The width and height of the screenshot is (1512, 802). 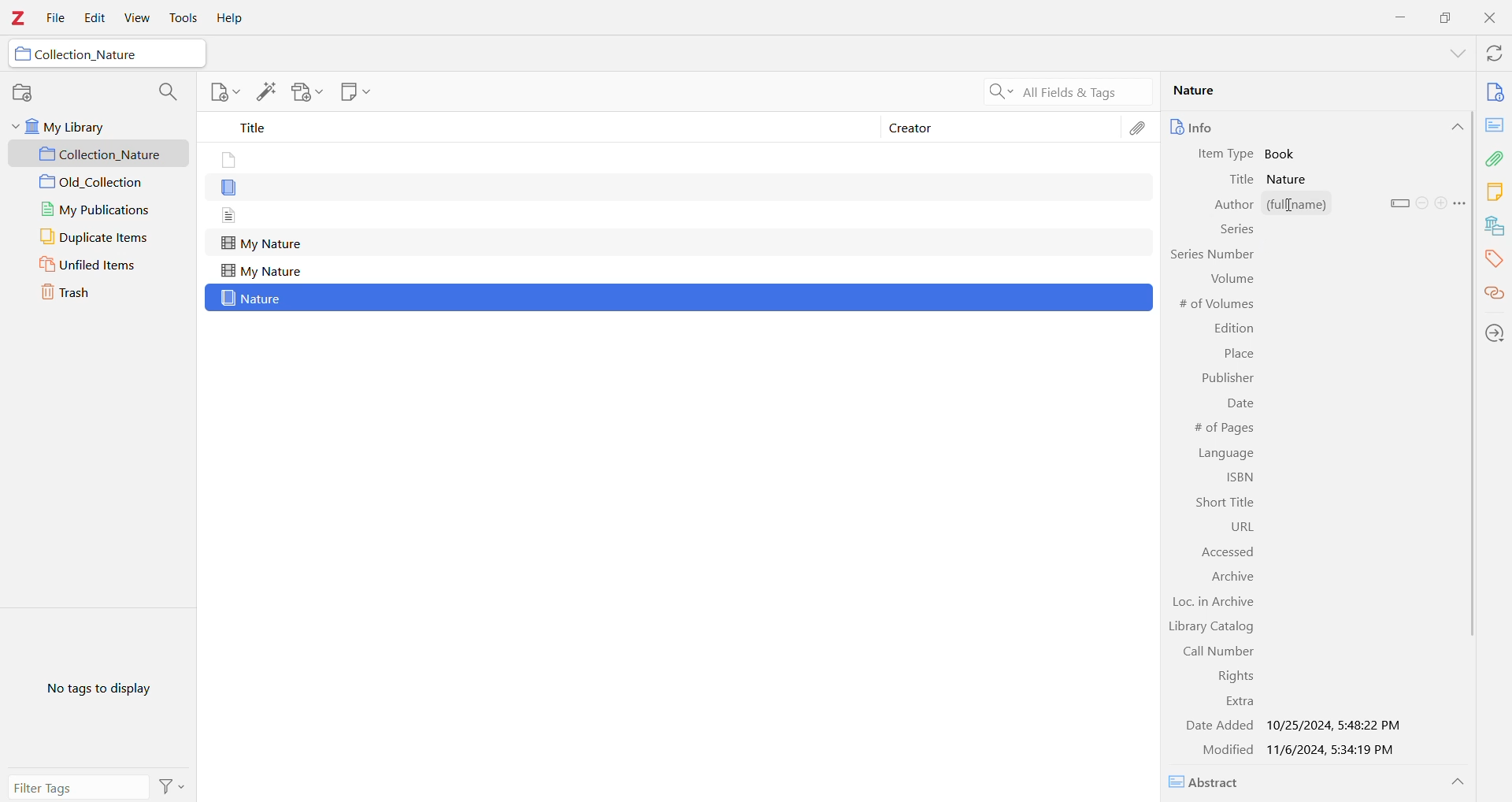 I want to click on Language, so click(x=1228, y=453).